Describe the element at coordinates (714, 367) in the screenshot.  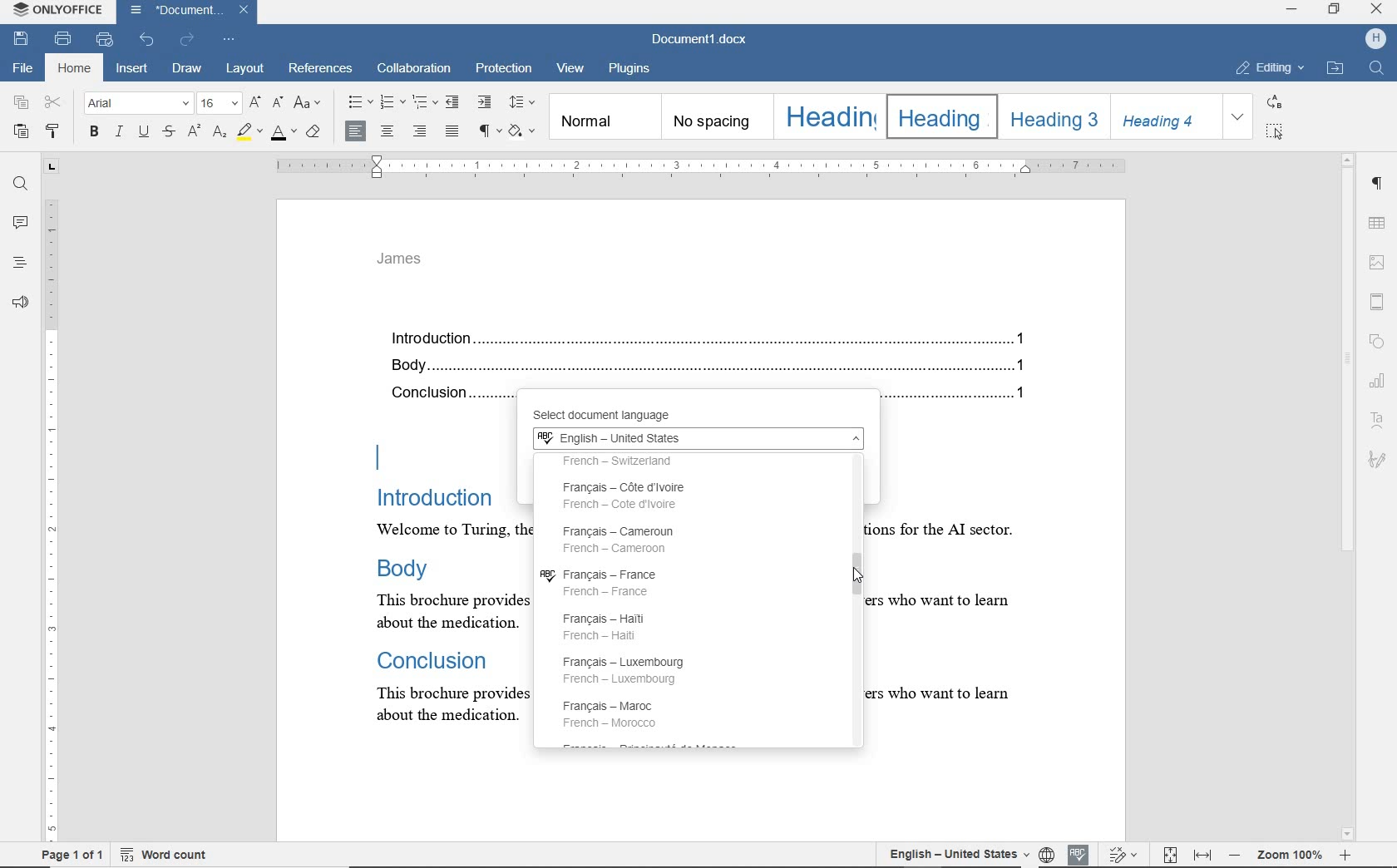
I see `Body...........................................................................................................................................1` at that location.